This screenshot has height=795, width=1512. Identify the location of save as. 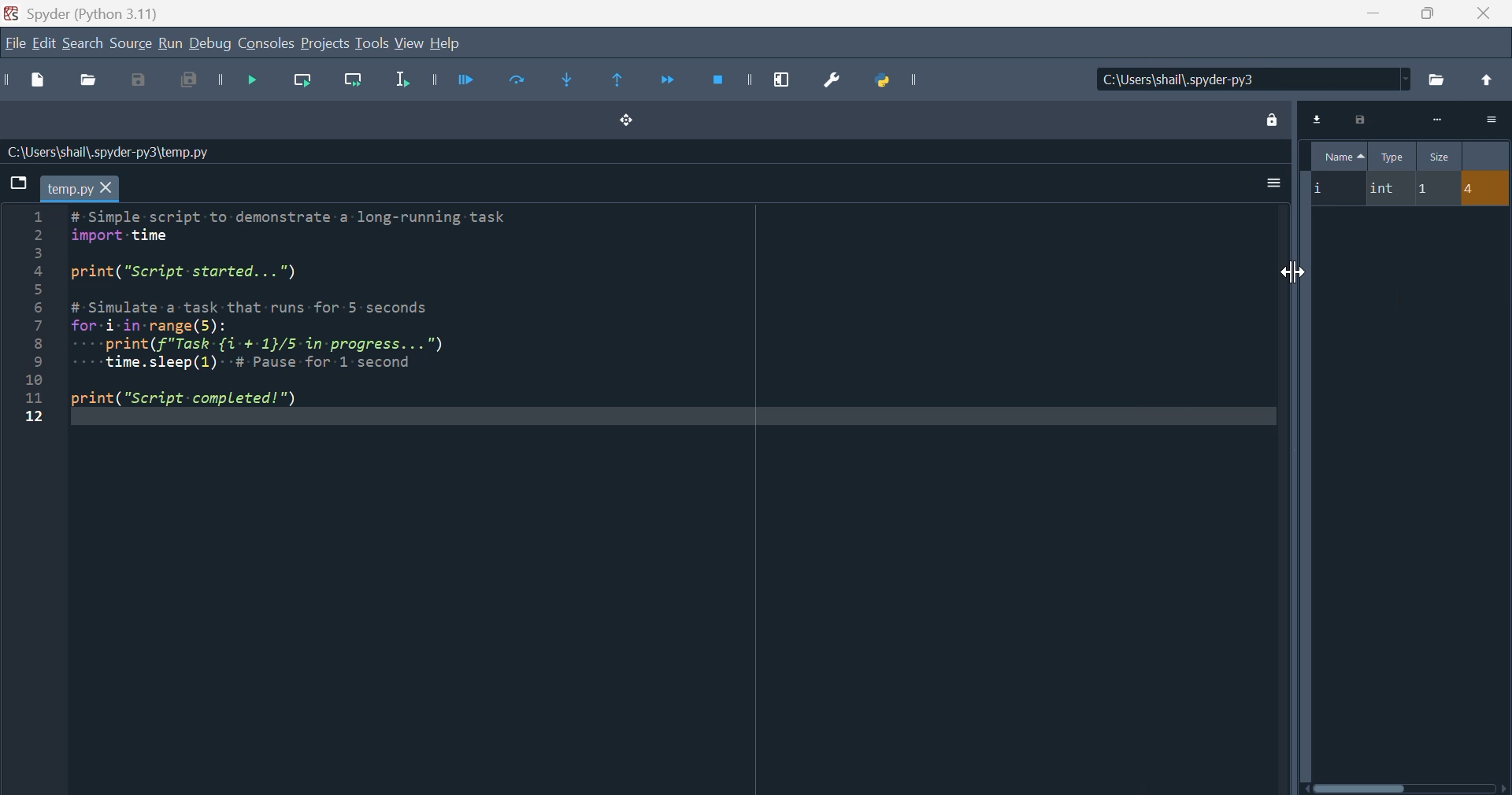
(143, 81).